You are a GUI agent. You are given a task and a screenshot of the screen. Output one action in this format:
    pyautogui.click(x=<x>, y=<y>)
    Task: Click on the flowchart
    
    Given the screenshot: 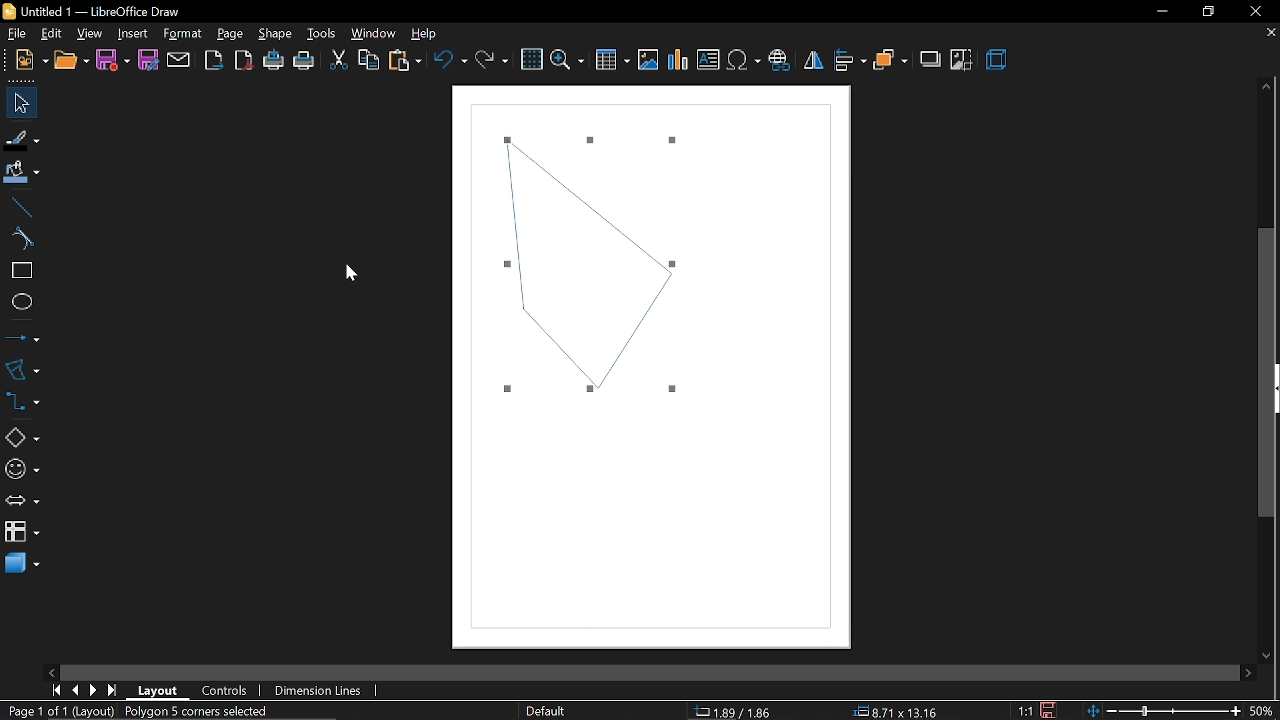 What is the action you would take?
    pyautogui.click(x=21, y=532)
    